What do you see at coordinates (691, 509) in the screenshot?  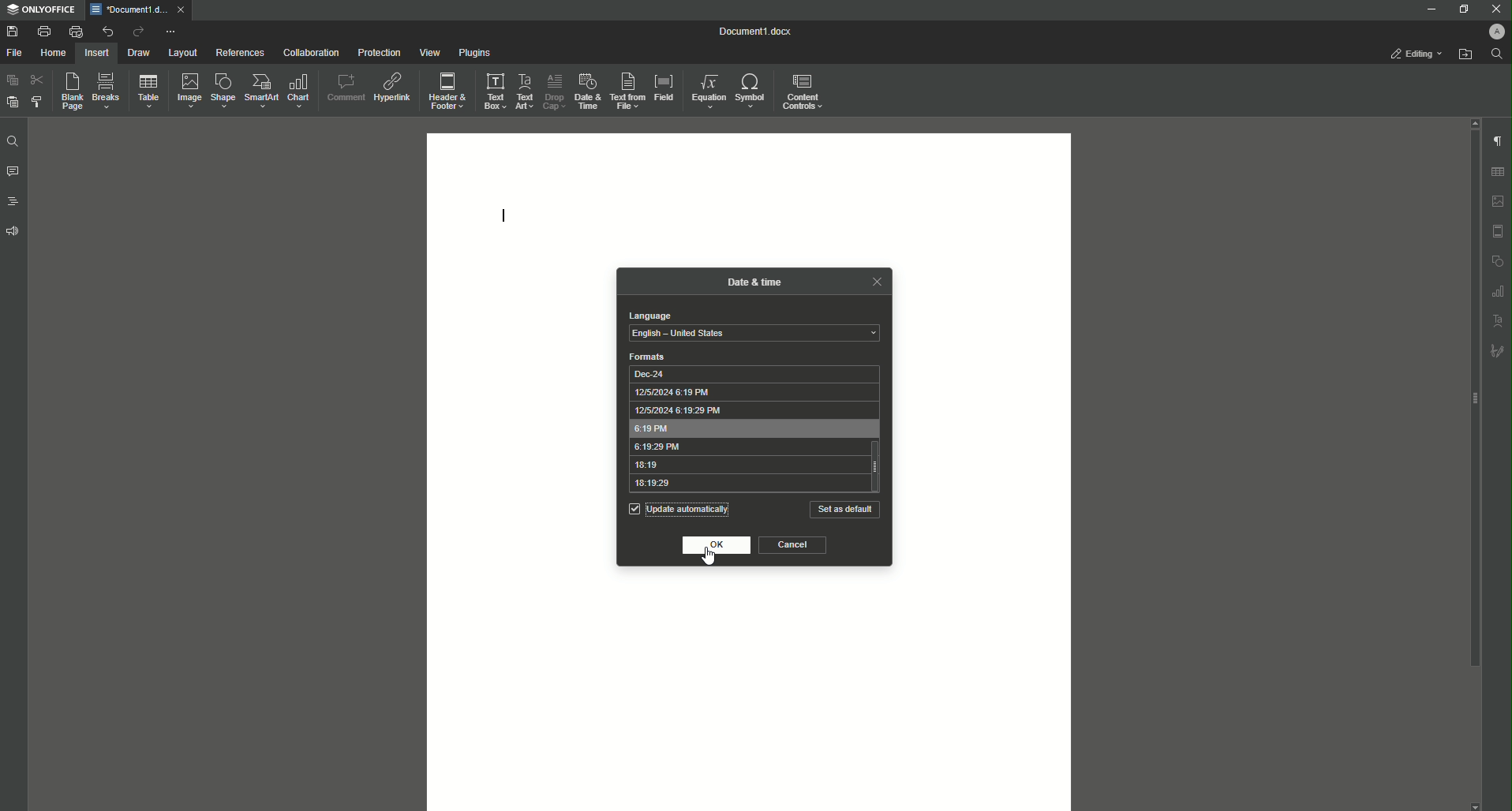 I see `Update automatically` at bounding box center [691, 509].